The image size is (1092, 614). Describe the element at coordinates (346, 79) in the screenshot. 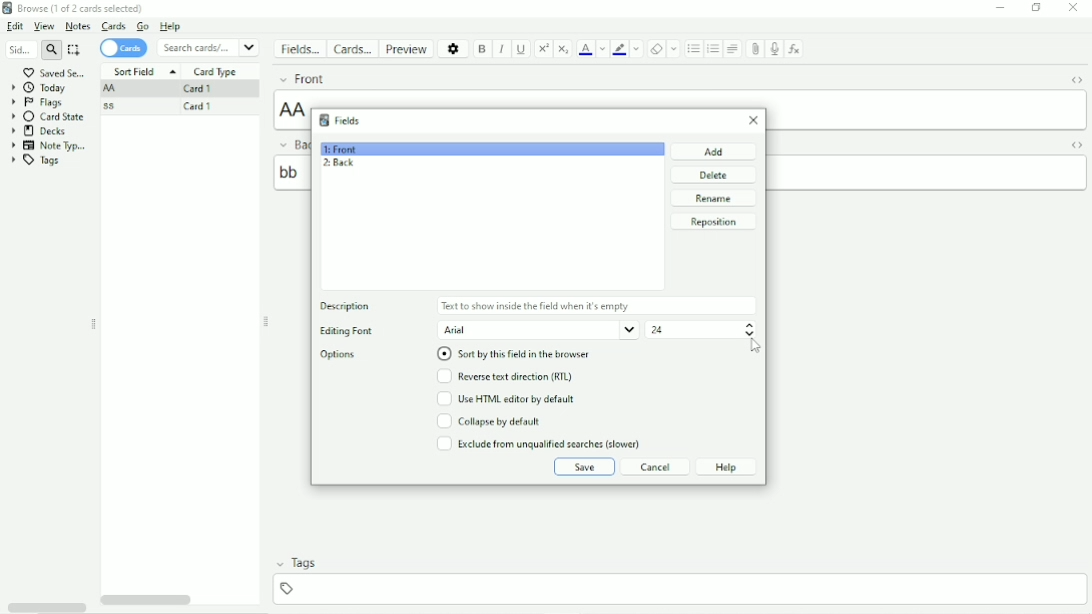

I see `Front` at that location.